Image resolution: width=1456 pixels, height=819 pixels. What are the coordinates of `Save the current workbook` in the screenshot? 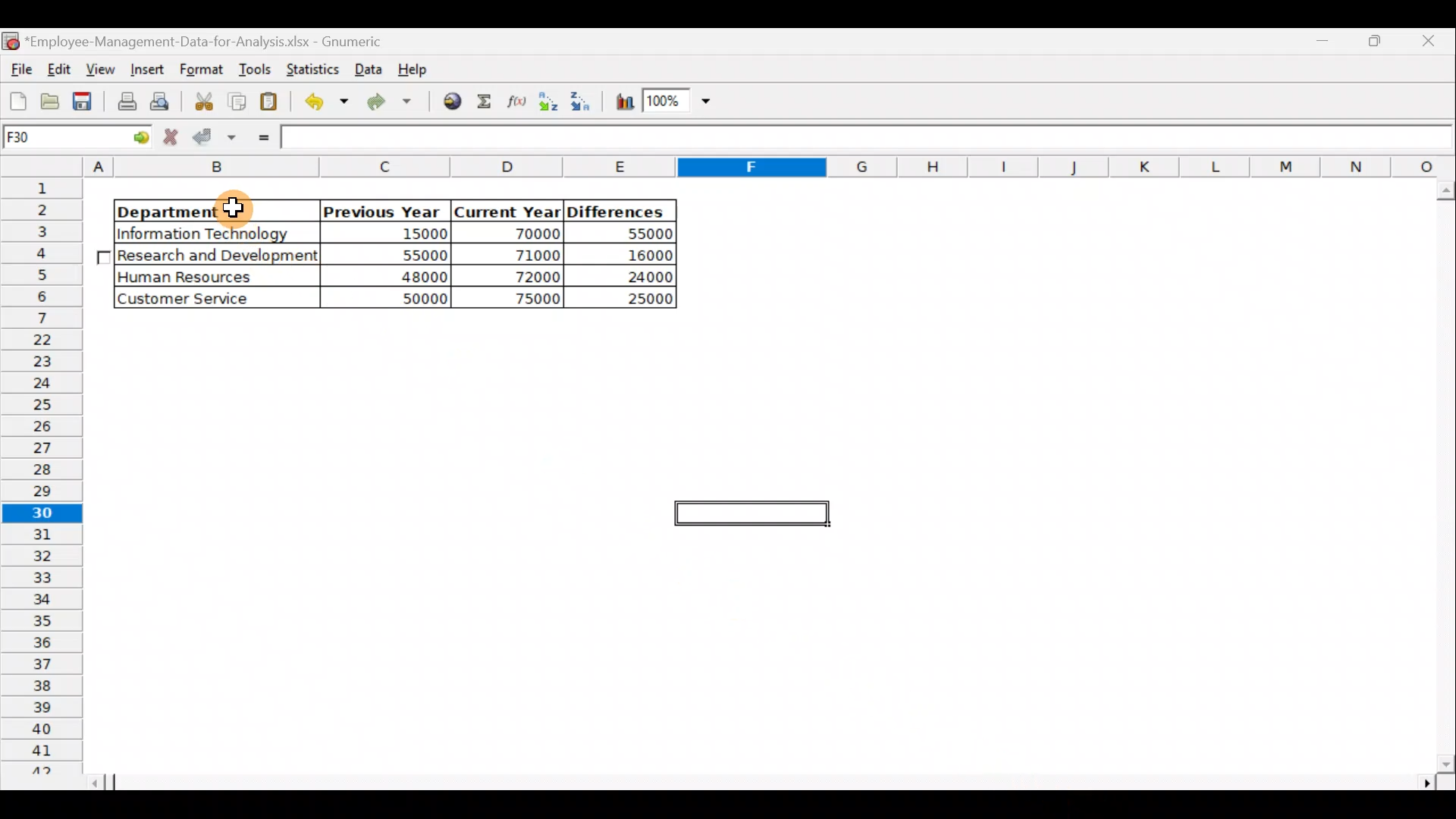 It's located at (83, 102).